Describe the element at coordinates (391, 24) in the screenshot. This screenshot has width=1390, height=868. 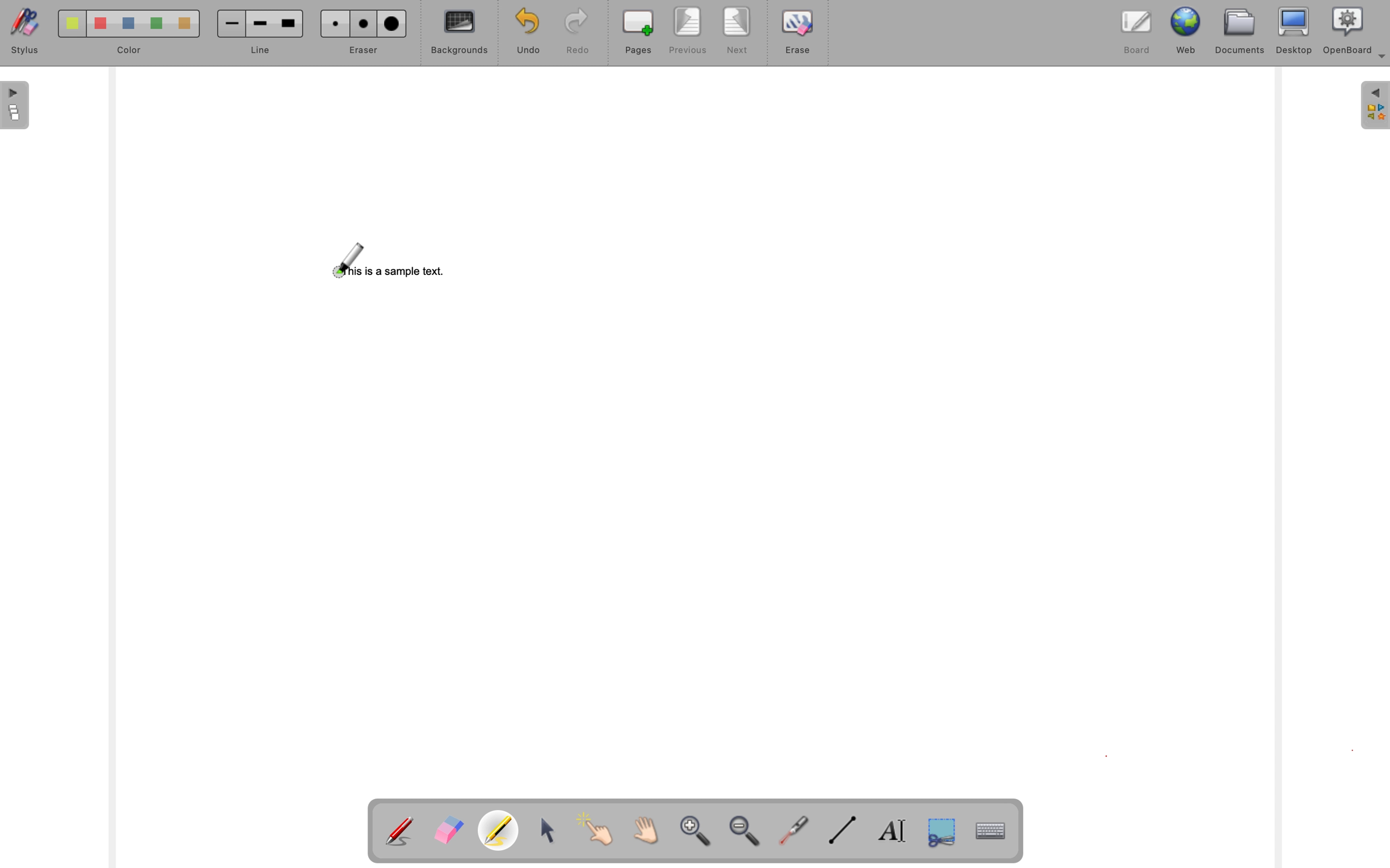
I see `Large Eraser` at that location.